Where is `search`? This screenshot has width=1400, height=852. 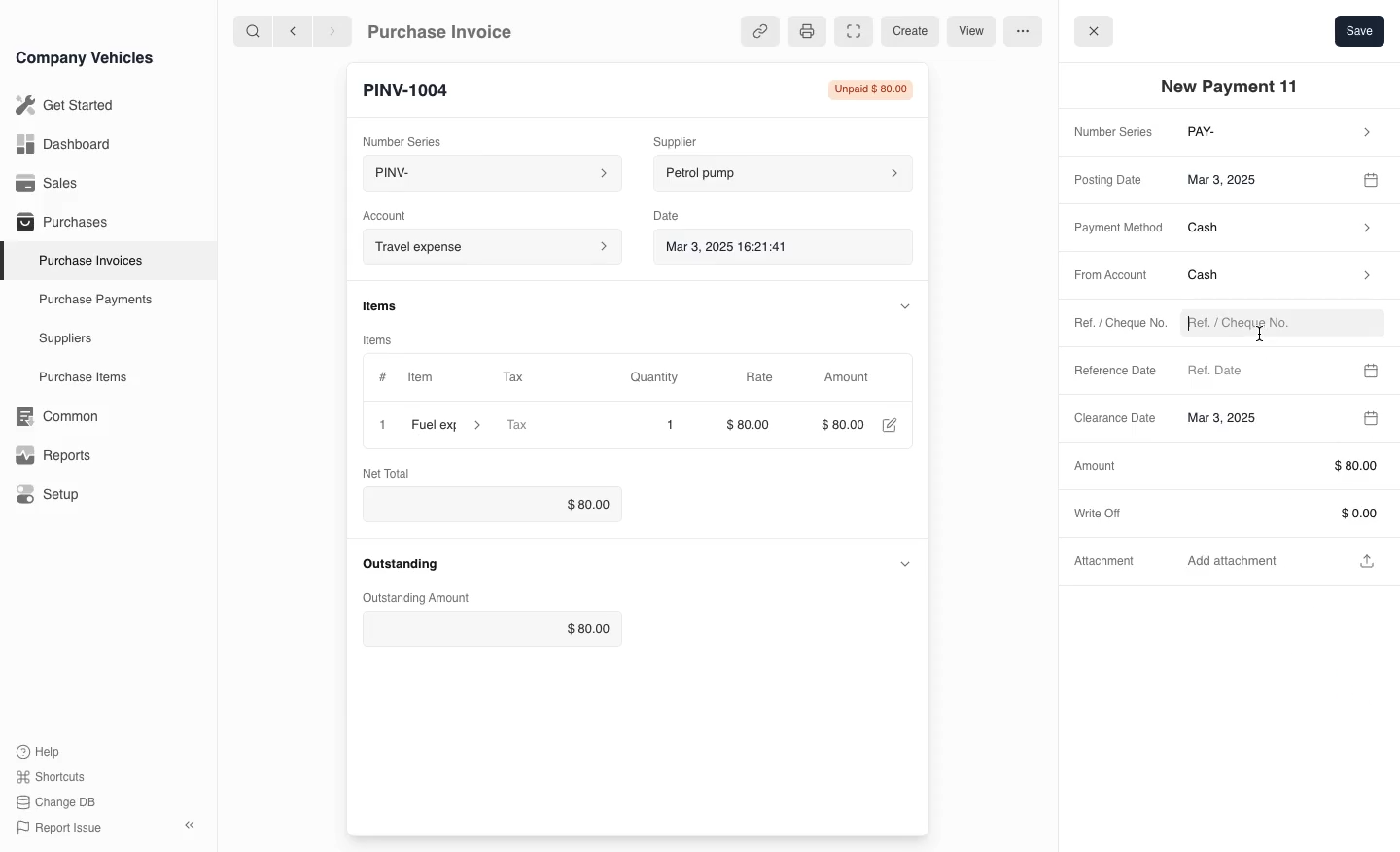 search is located at coordinates (254, 30).